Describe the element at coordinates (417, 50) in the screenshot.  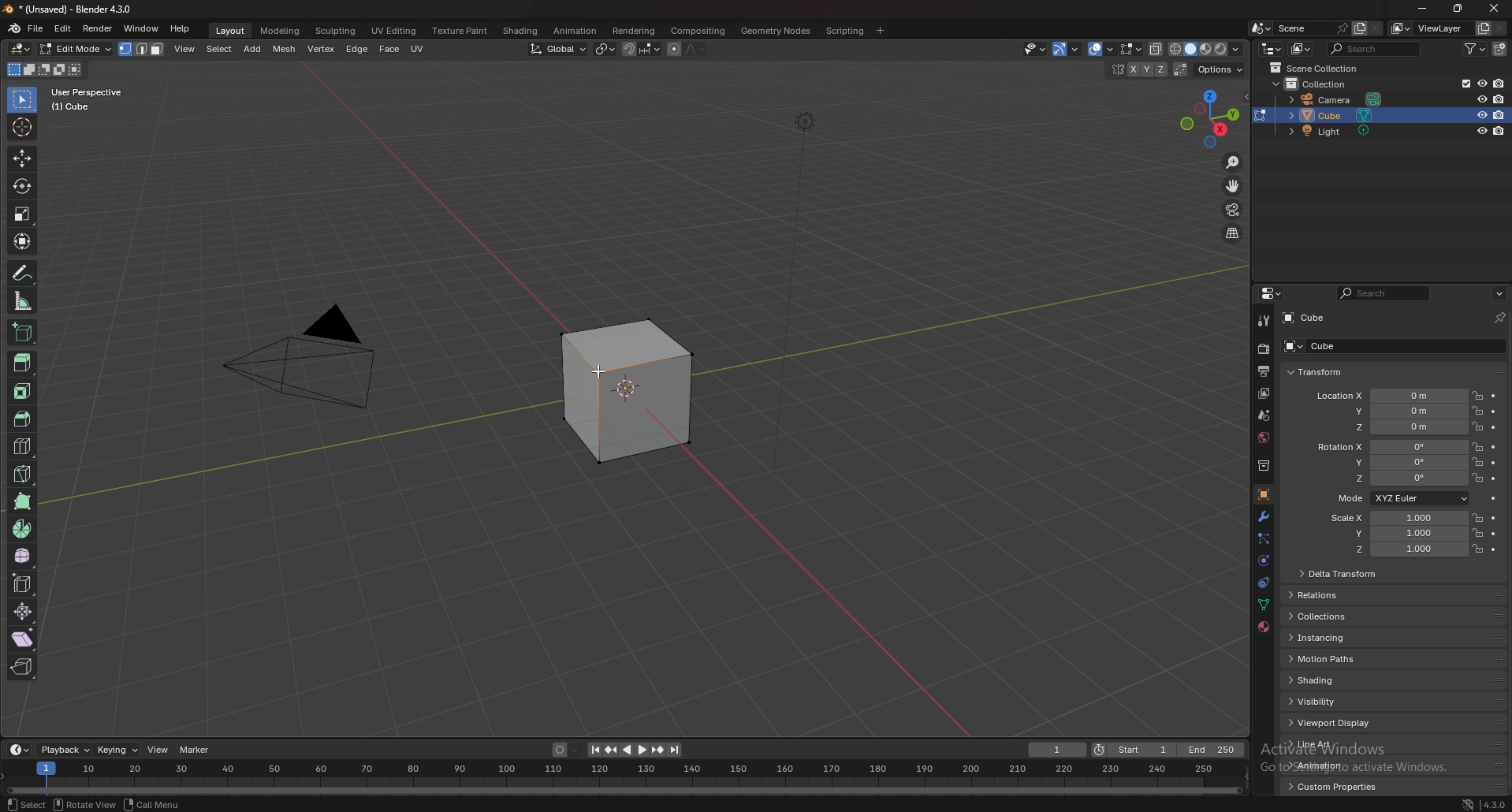
I see `uv` at that location.